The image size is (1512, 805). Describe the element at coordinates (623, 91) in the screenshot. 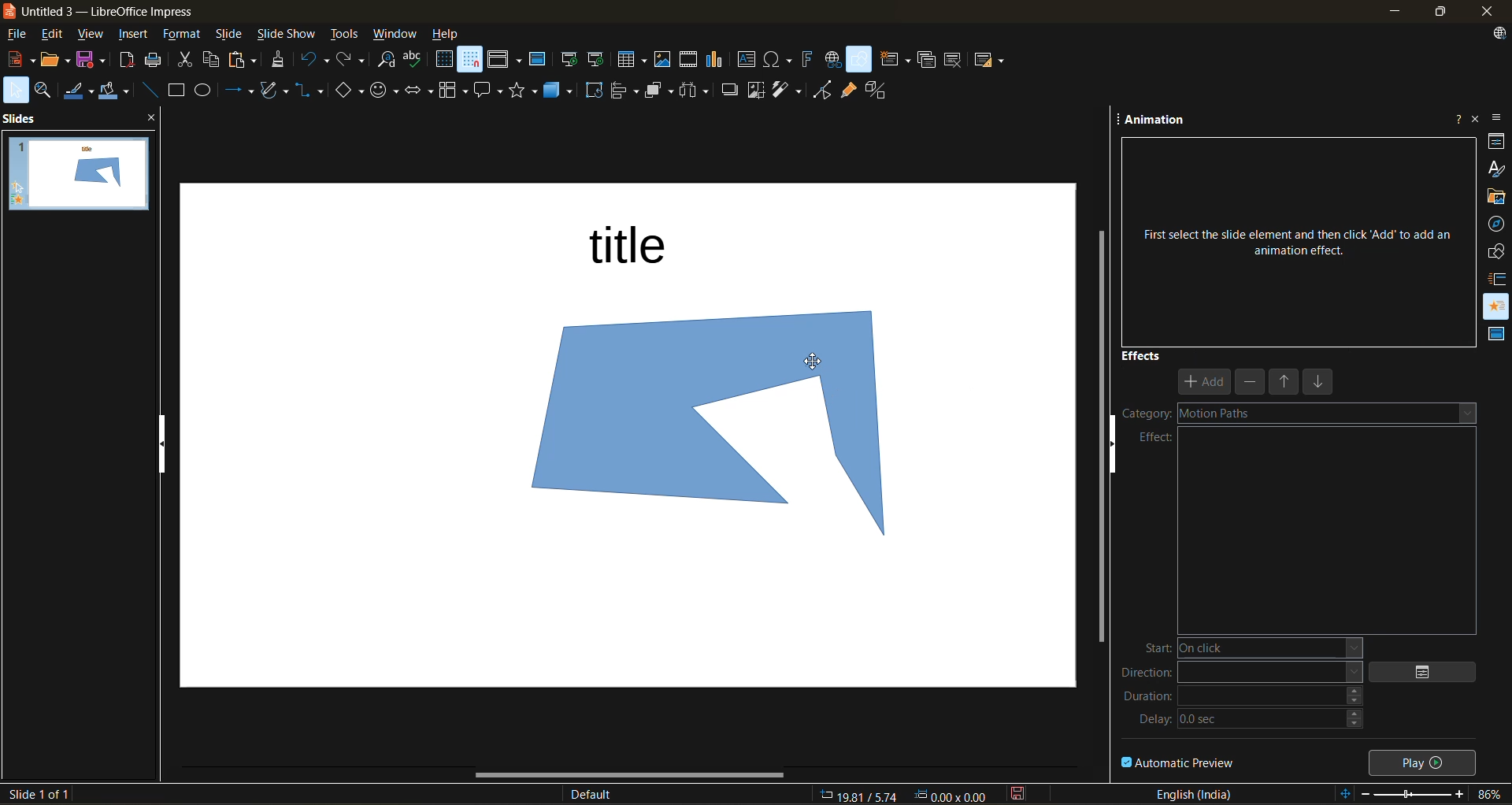

I see `align objects` at that location.